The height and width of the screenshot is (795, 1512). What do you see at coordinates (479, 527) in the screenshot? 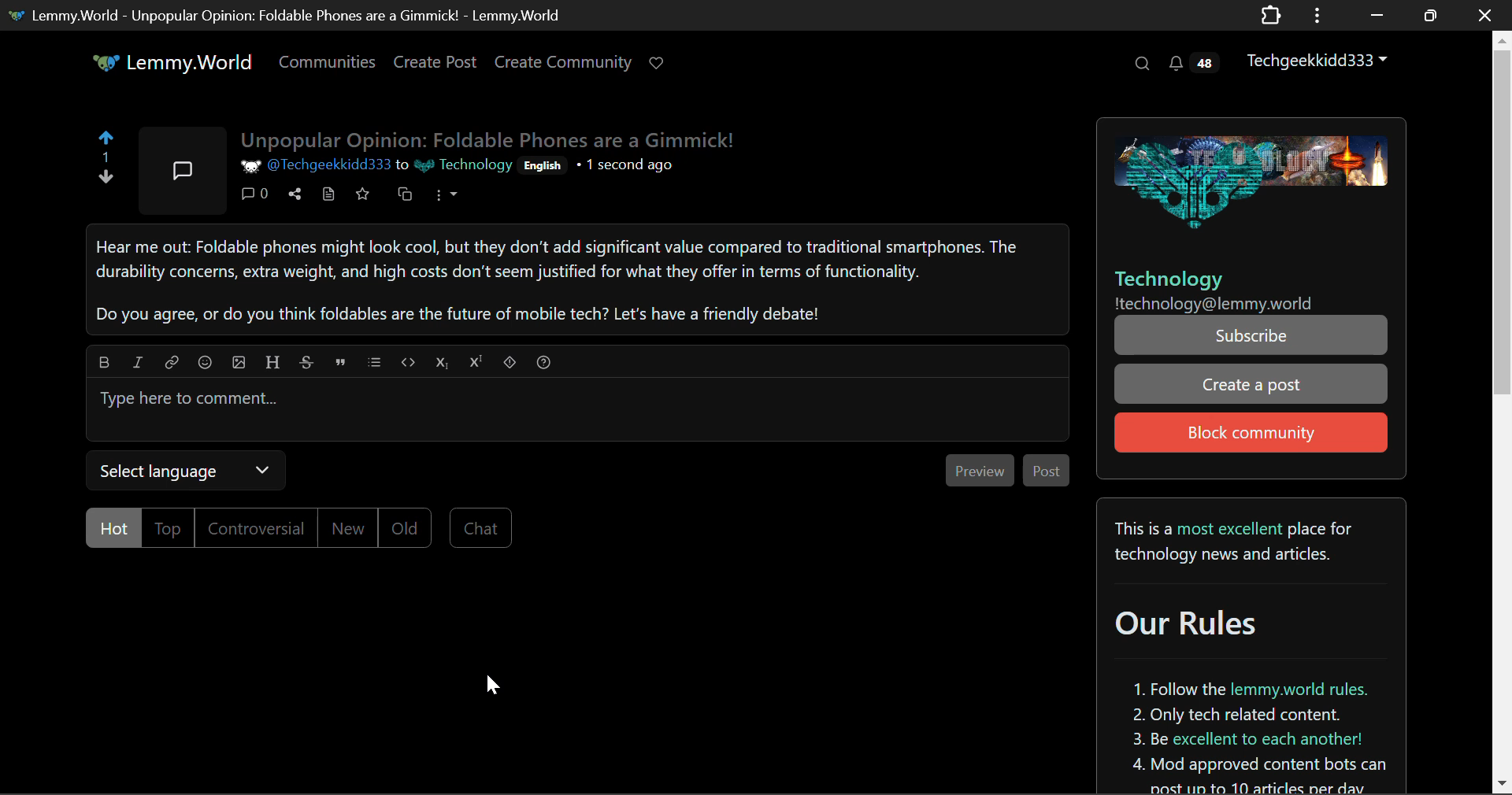
I see `Chat` at bounding box center [479, 527].